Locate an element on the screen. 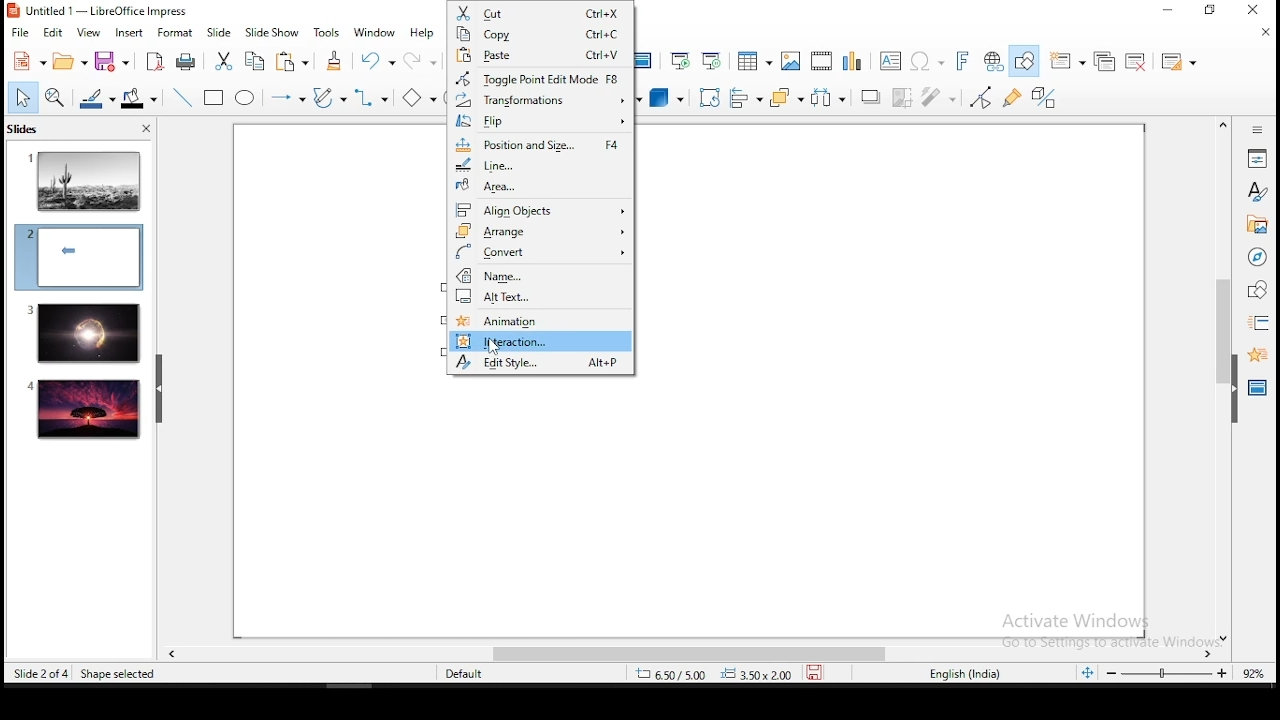 Image resolution: width=1280 pixels, height=720 pixels. cut is located at coordinates (540, 13).